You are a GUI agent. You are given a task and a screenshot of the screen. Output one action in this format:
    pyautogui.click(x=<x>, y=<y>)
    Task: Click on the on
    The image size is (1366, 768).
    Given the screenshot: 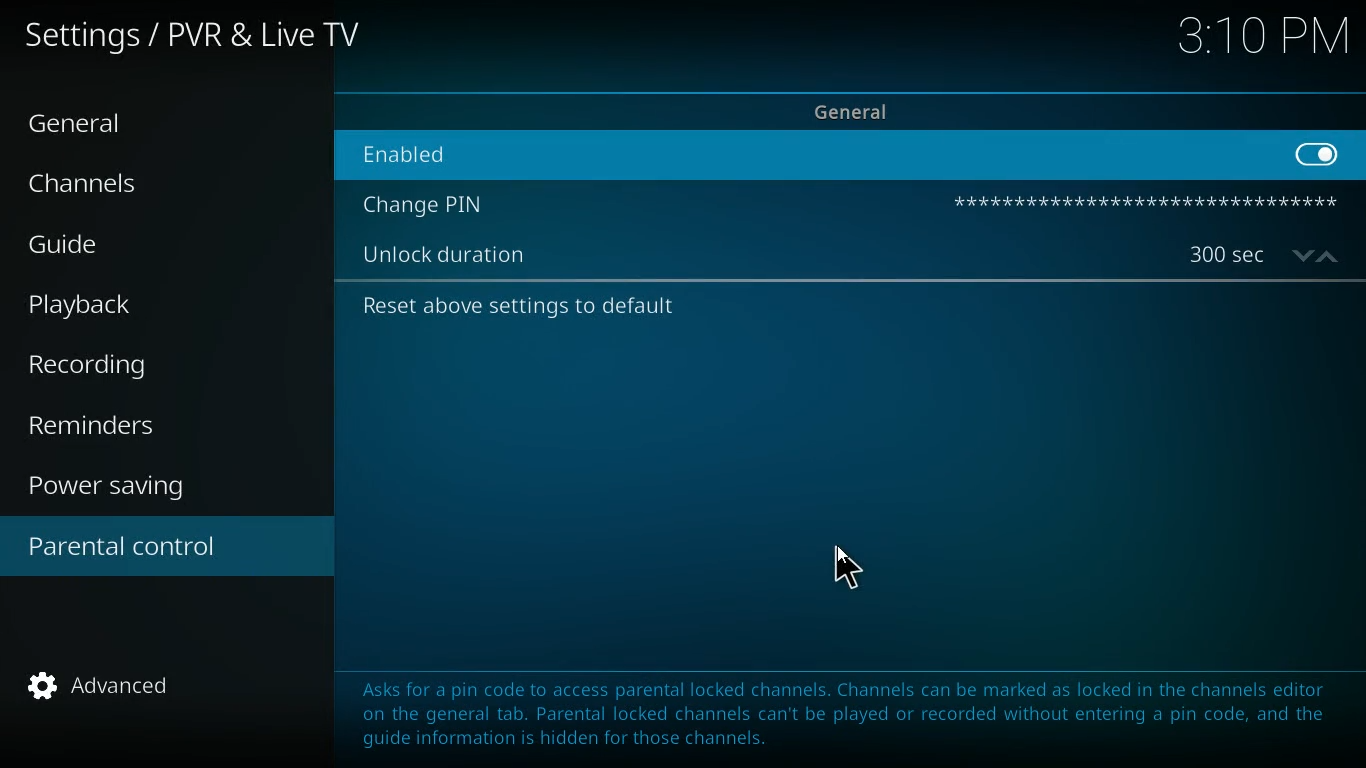 What is the action you would take?
    pyautogui.click(x=1319, y=153)
    